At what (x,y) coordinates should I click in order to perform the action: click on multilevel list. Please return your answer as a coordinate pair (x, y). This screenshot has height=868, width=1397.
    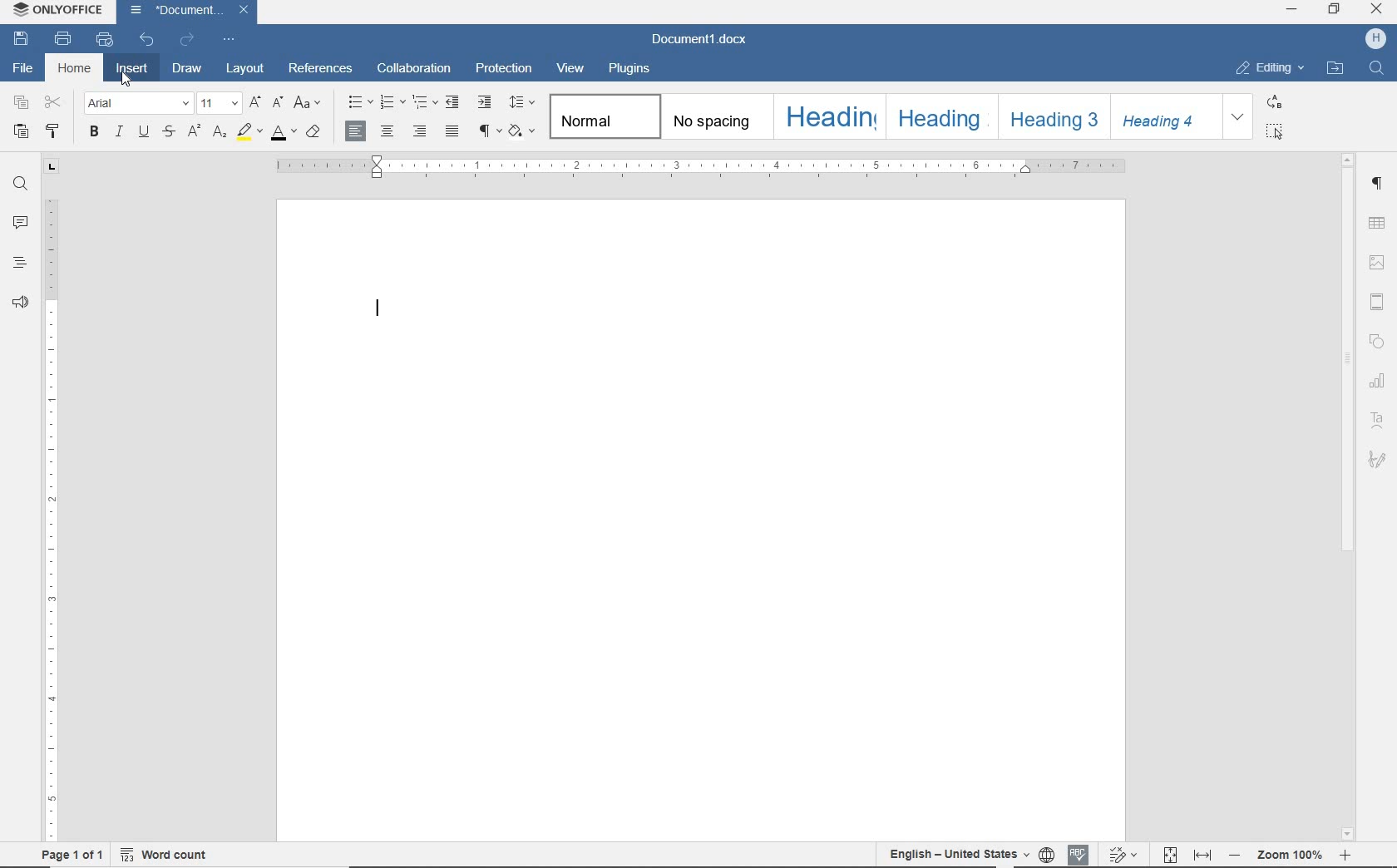
    Looking at the image, I should click on (423, 103).